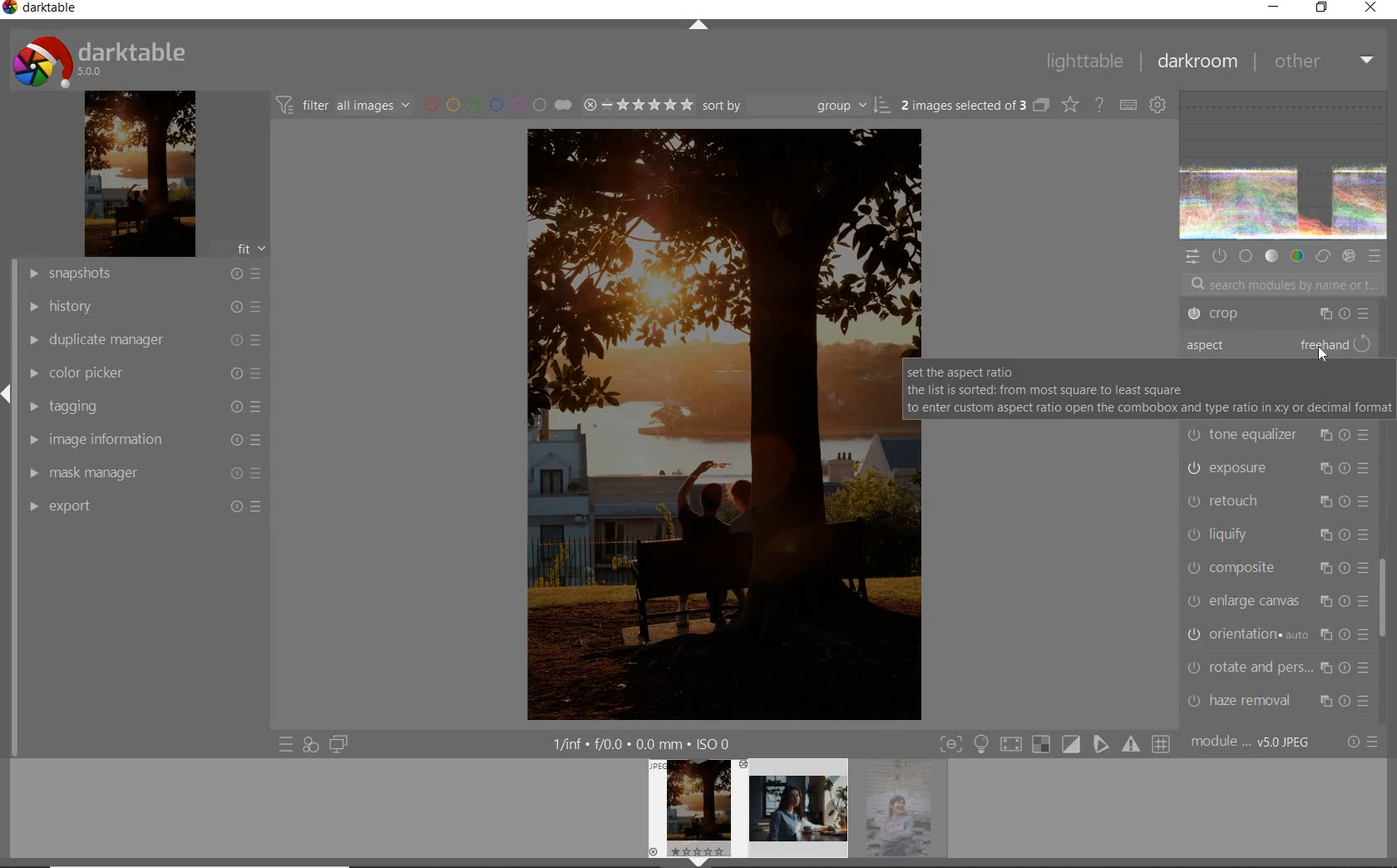 The image size is (1397, 868). Describe the element at coordinates (1278, 568) in the screenshot. I see `composite` at that location.